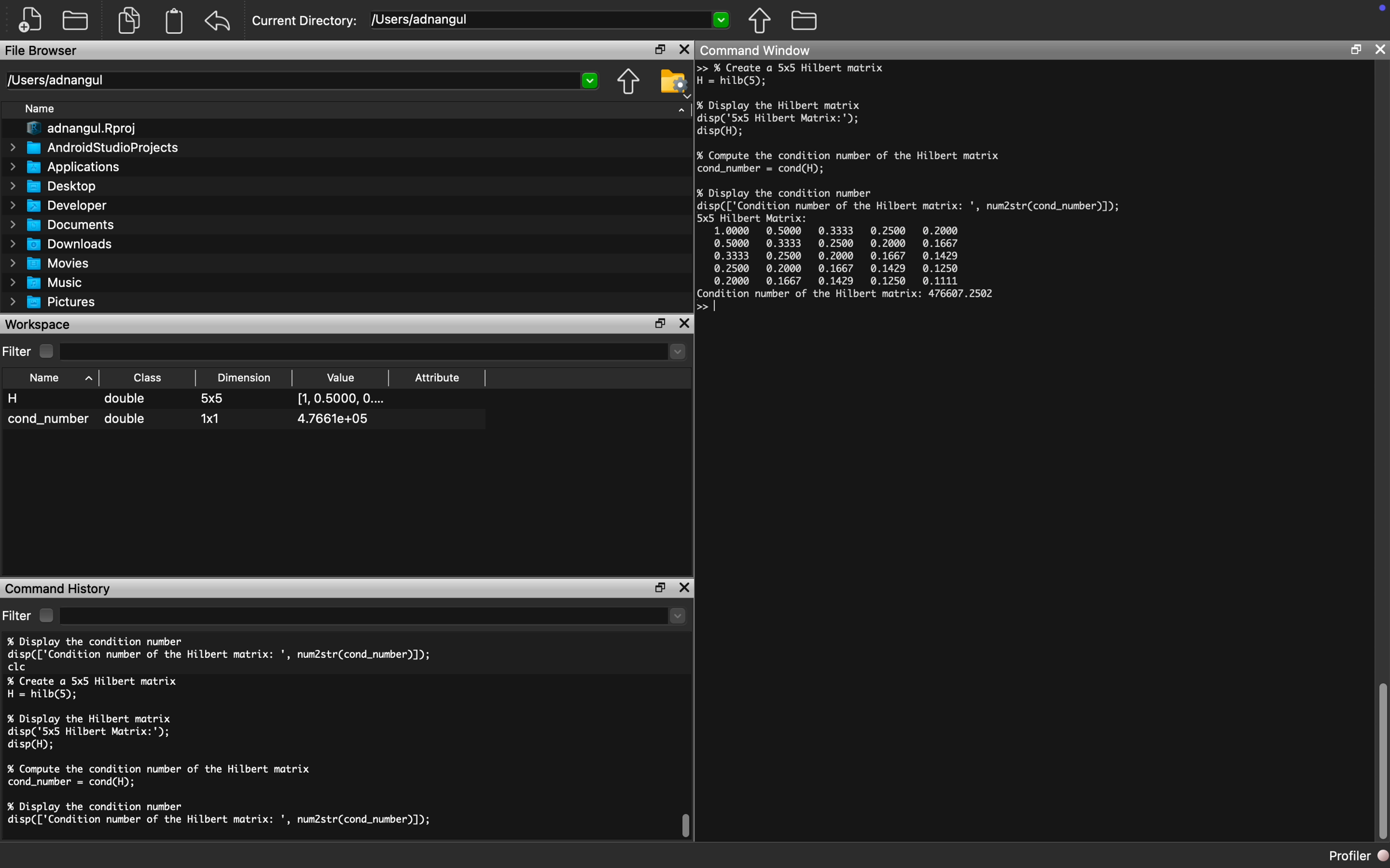 This screenshot has width=1390, height=868. Describe the element at coordinates (685, 50) in the screenshot. I see `Close` at that location.